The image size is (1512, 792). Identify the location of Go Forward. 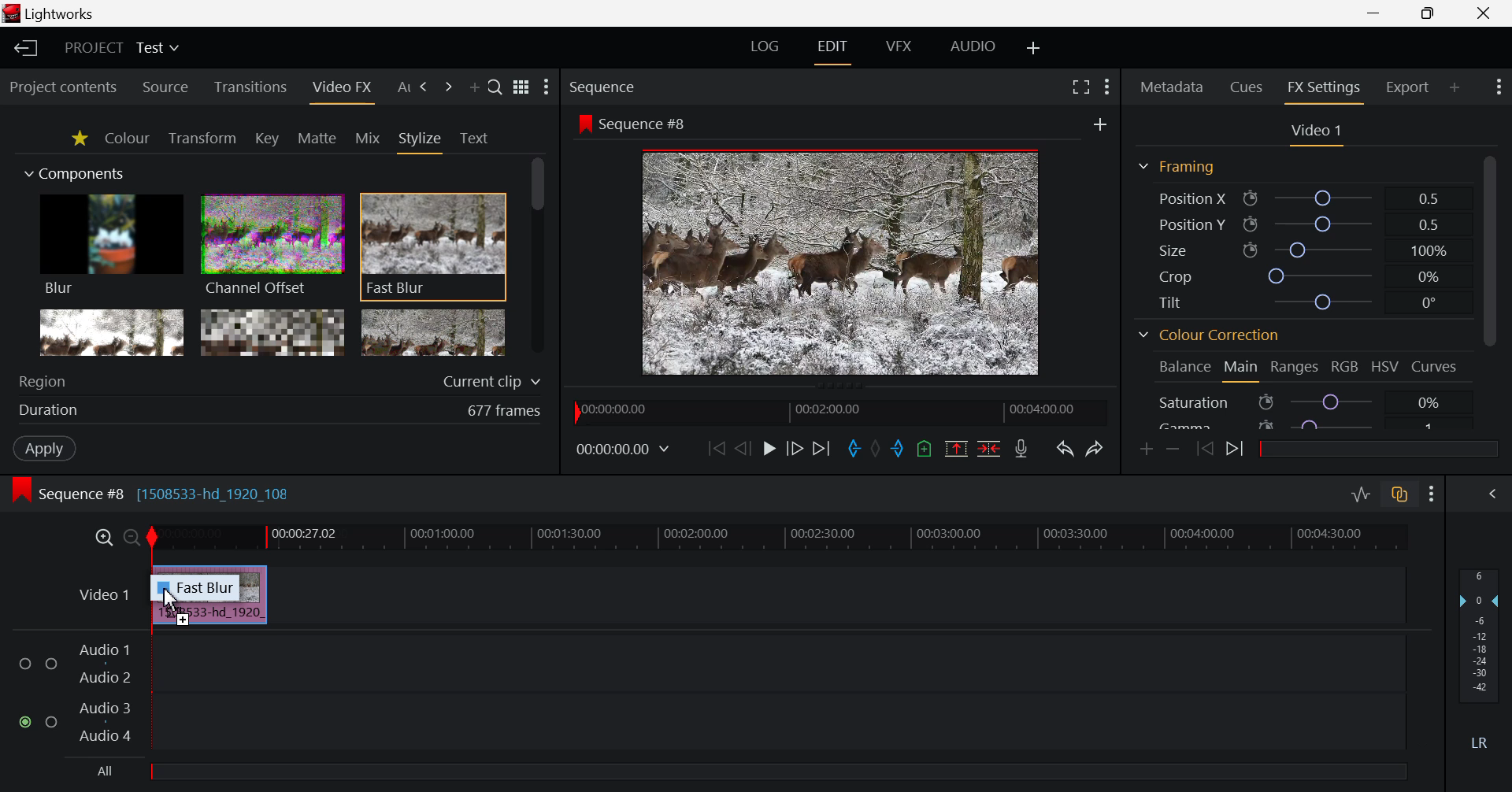
(798, 451).